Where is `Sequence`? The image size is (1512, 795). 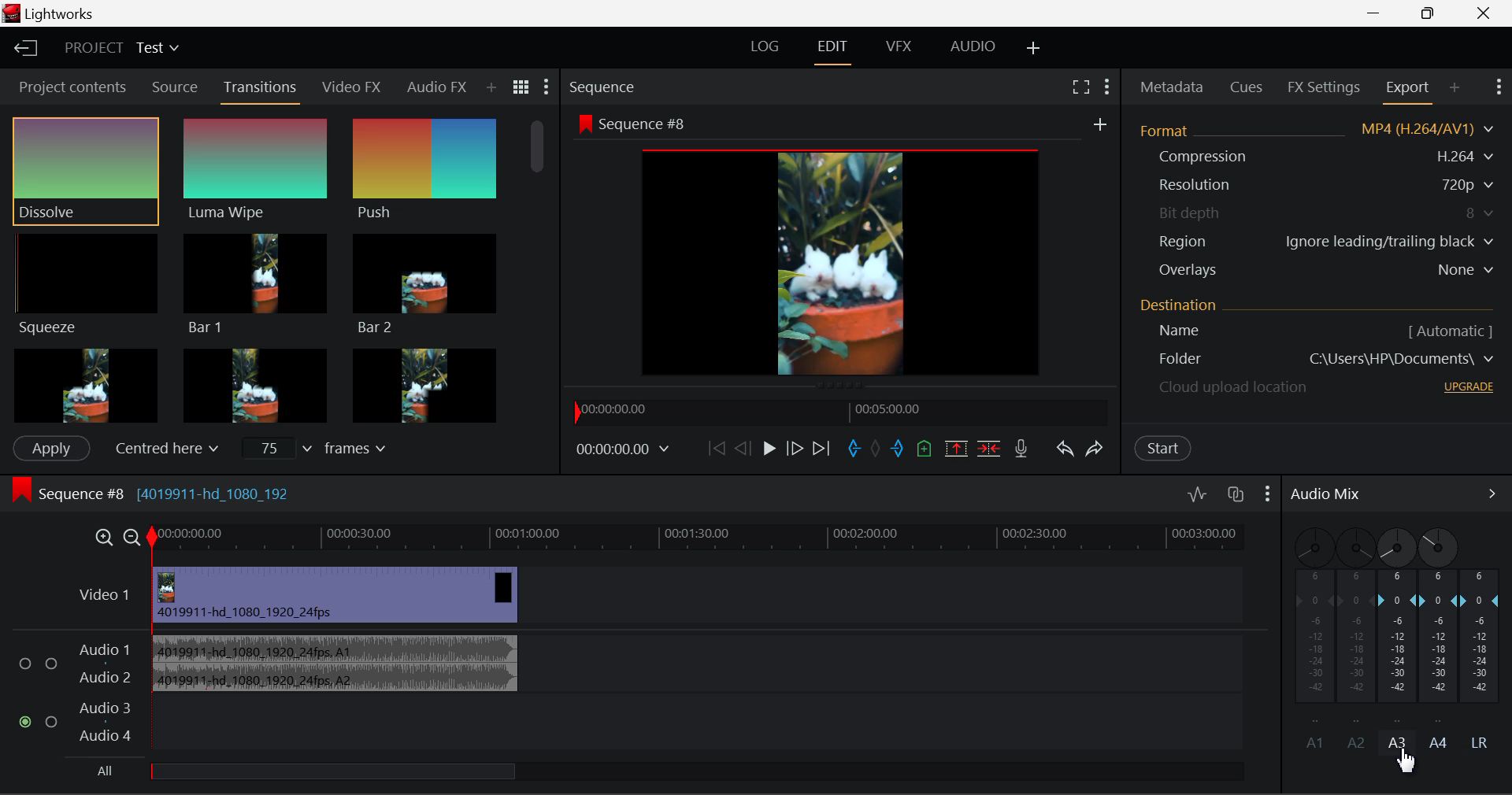 Sequence is located at coordinates (610, 86).